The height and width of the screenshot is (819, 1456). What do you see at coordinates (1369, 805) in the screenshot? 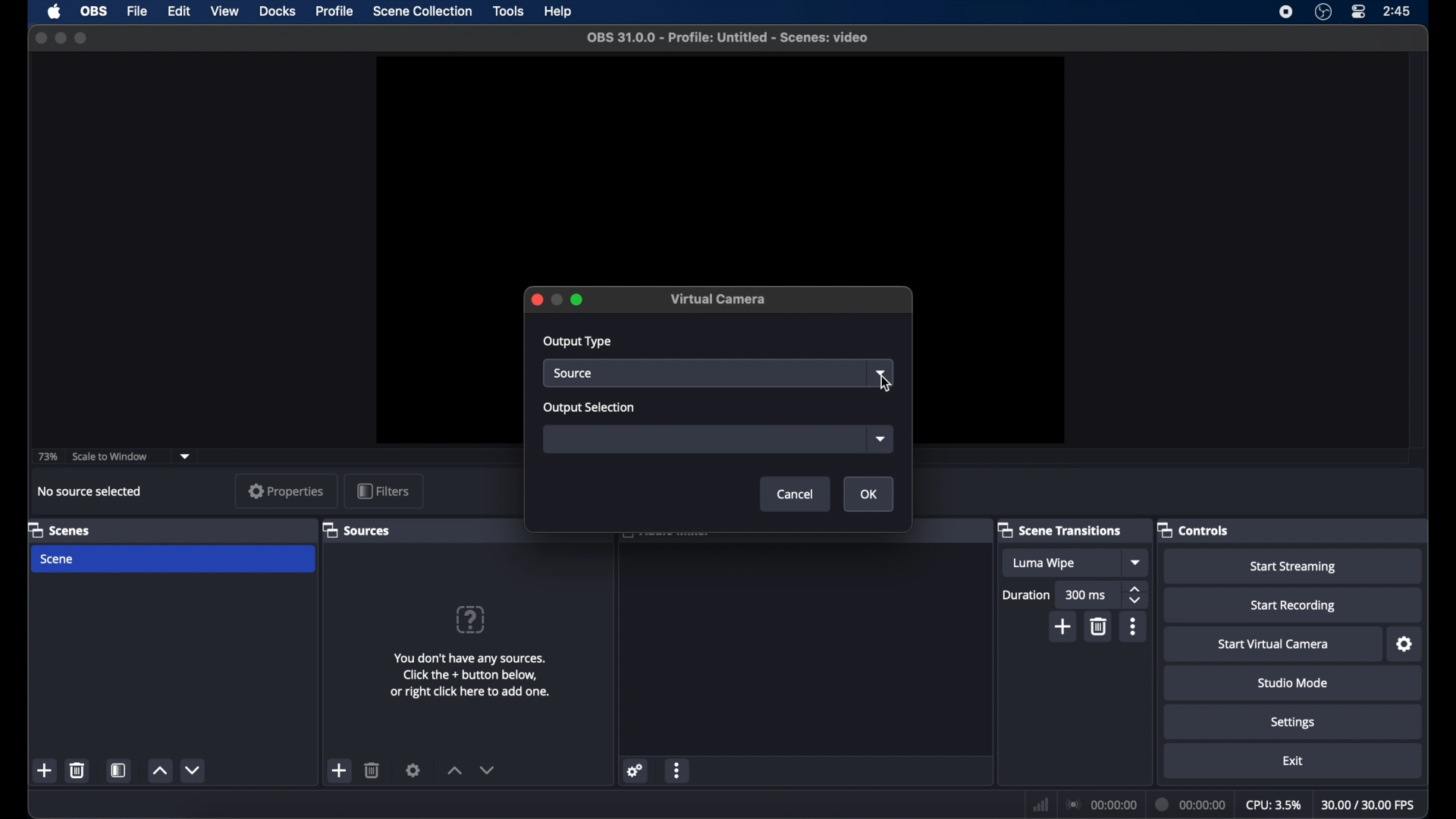
I see `fps` at bounding box center [1369, 805].